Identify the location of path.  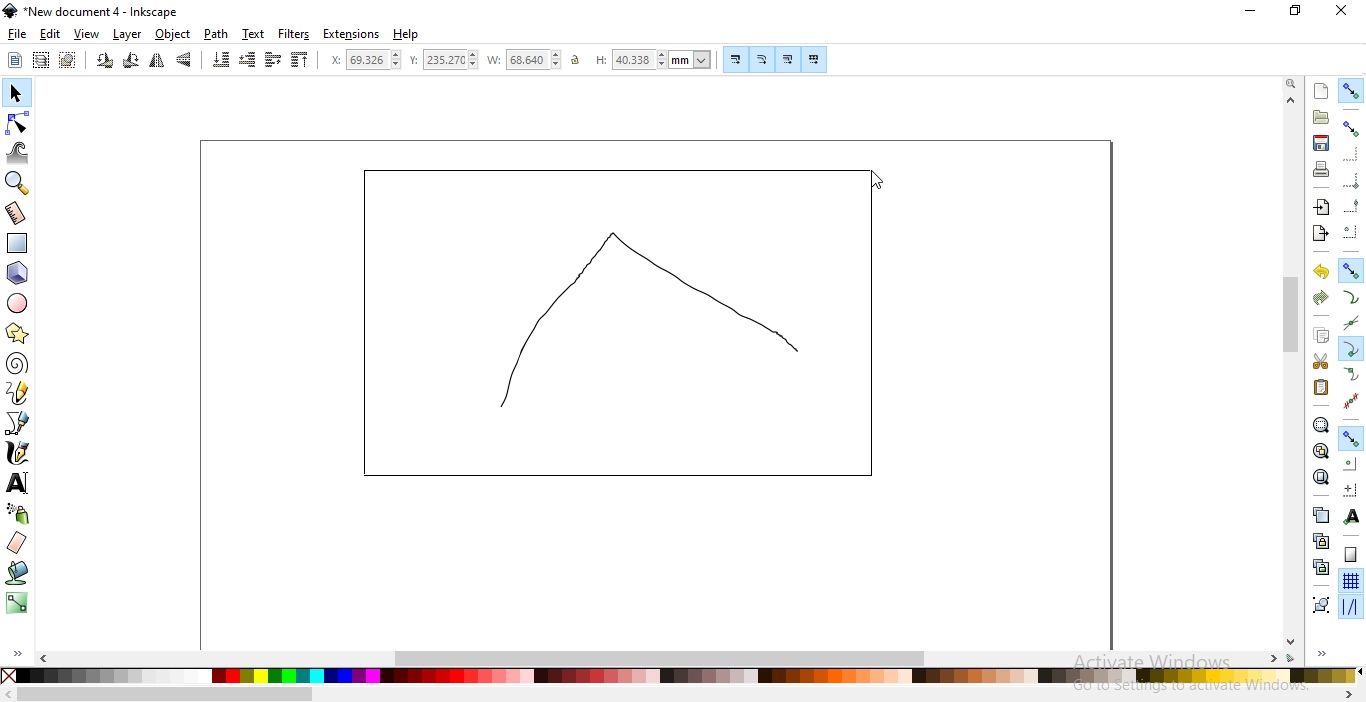
(214, 34).